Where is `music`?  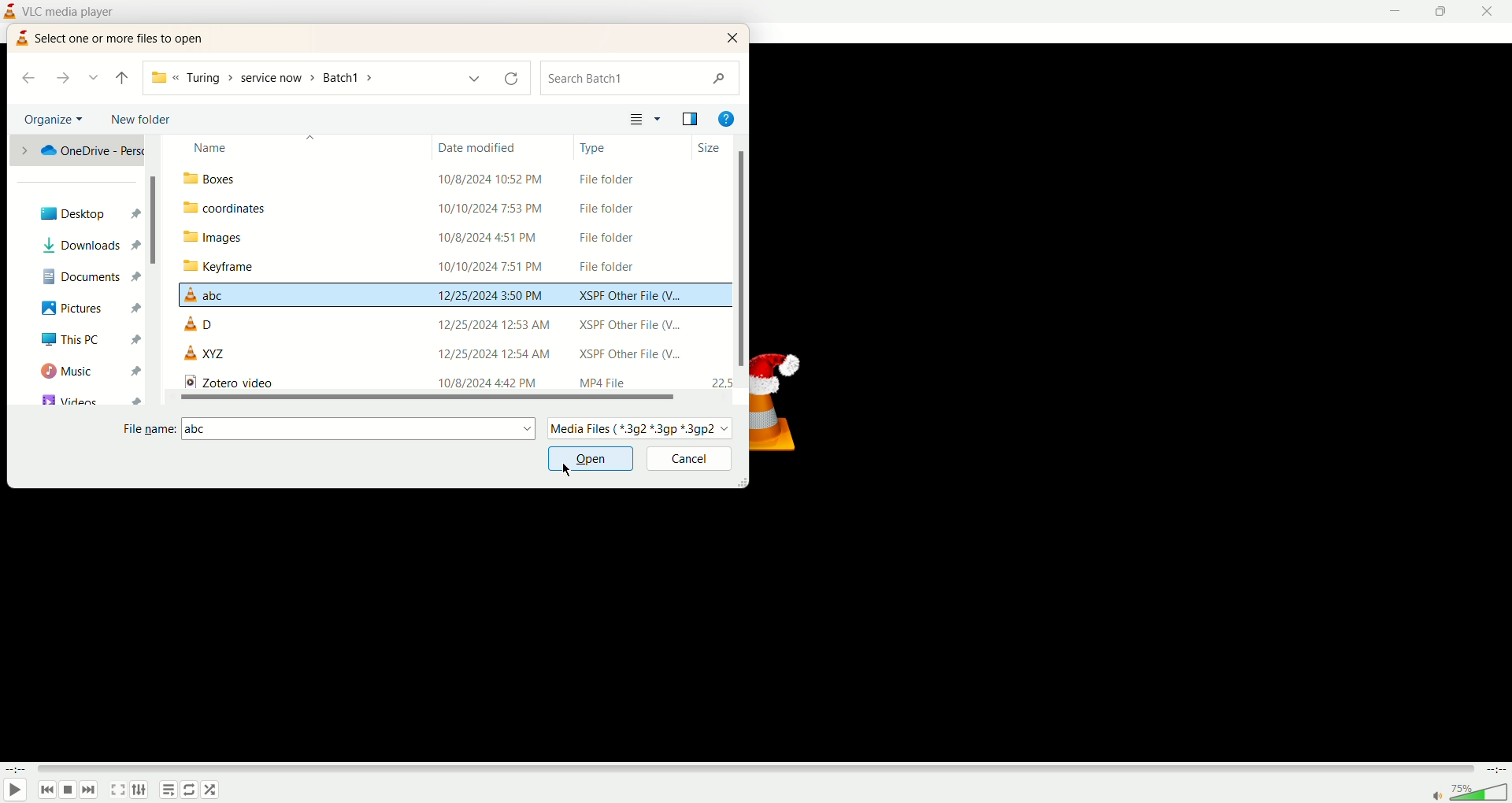
music is located at coordinates (88, 368).